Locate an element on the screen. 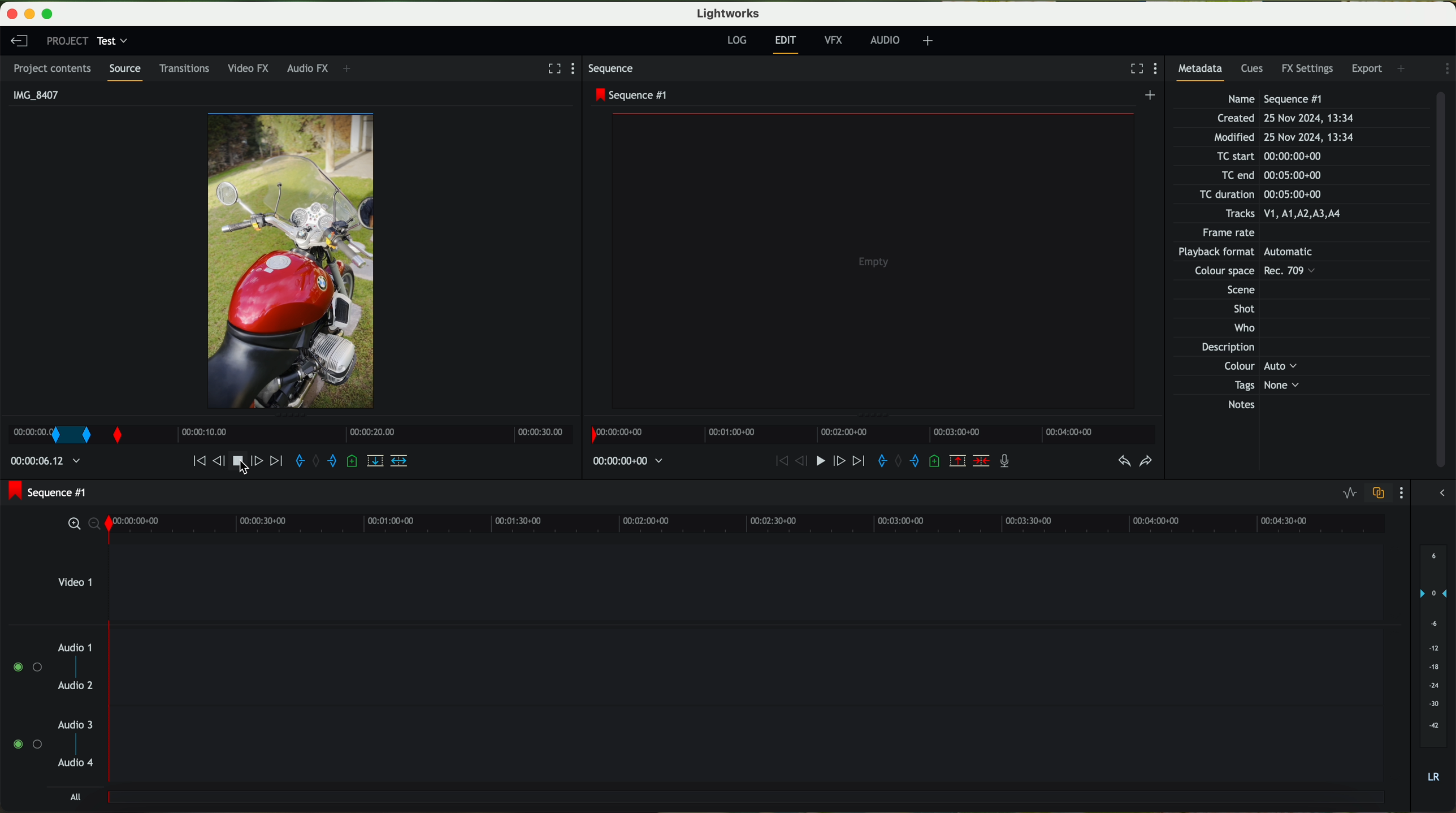 The height and width of the screenshot is (813, 1456). Who is located at coordinates (1242, 329).